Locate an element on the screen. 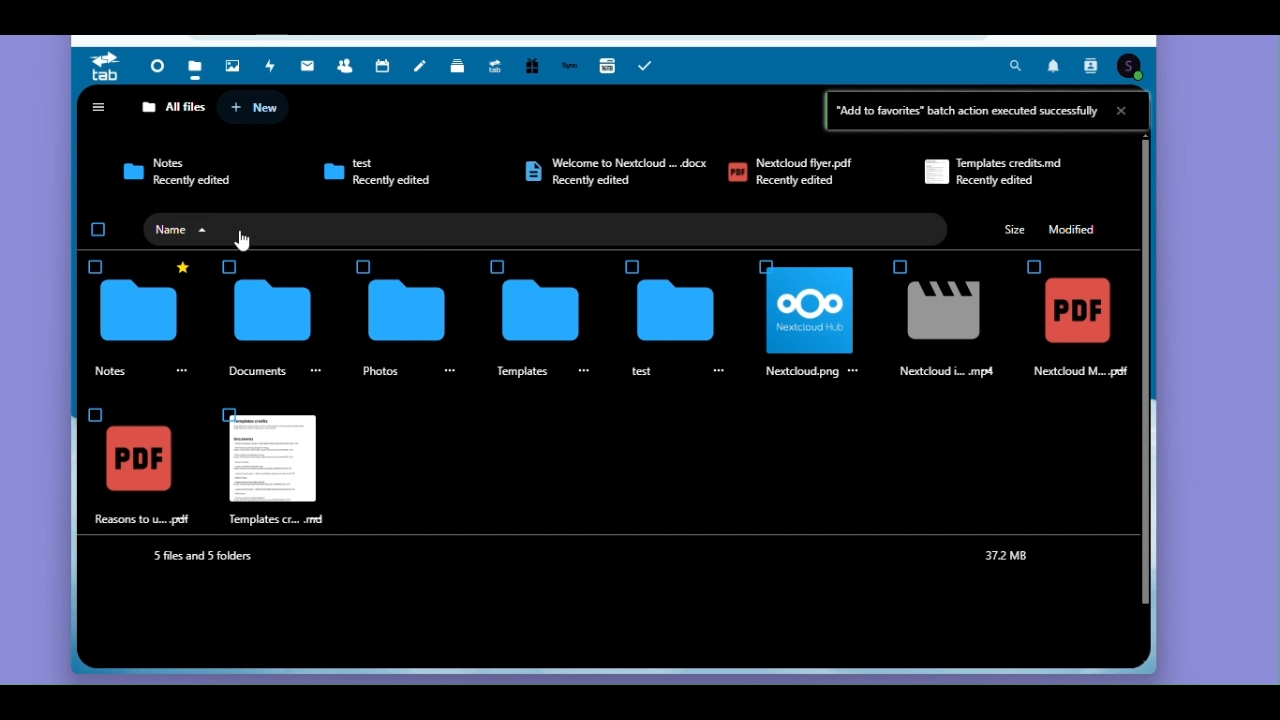  Nextdoud.png is located at coordinates (800, 373).